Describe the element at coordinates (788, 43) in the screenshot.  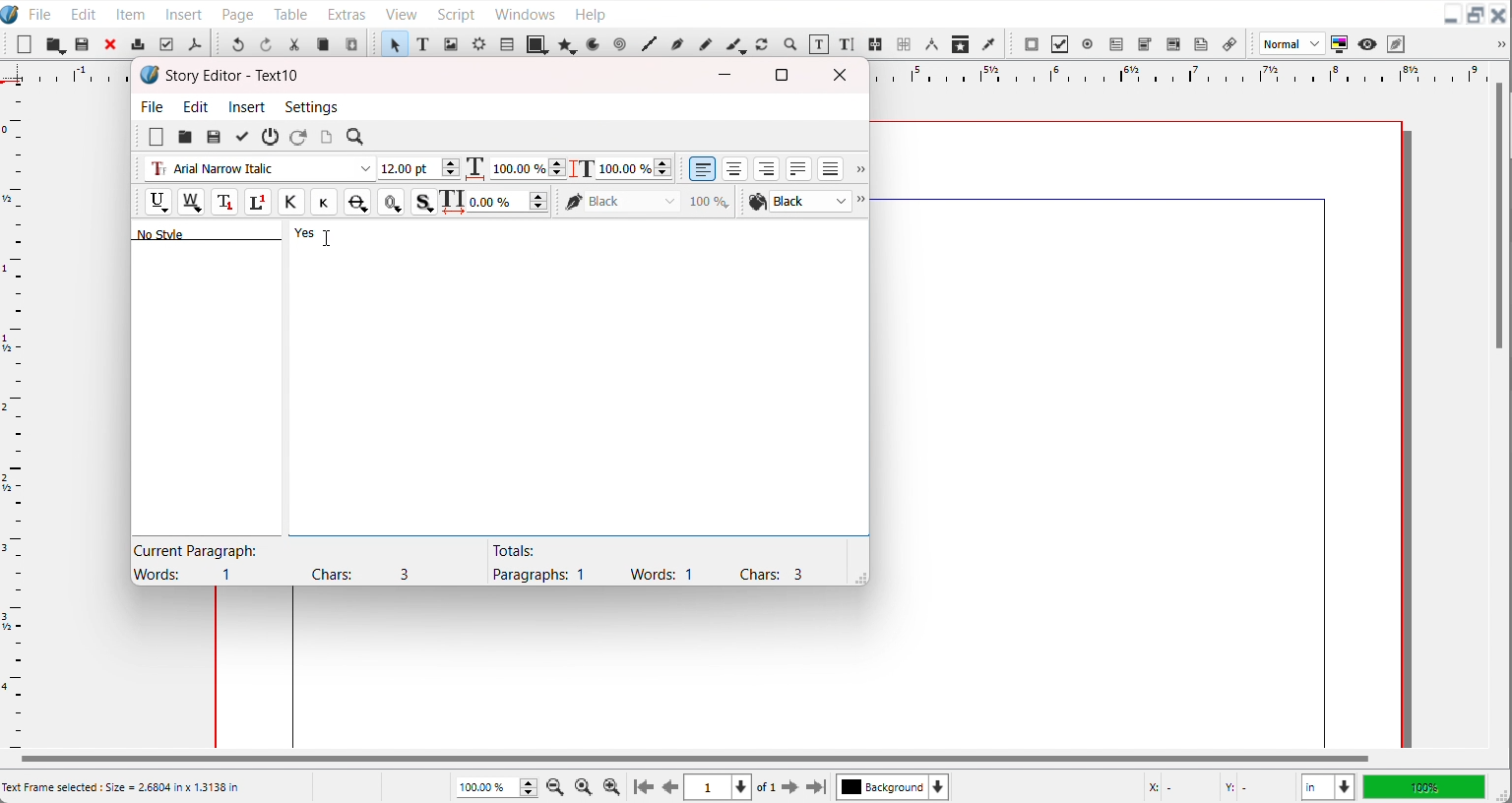
I see `Zoom in or out` at that location.